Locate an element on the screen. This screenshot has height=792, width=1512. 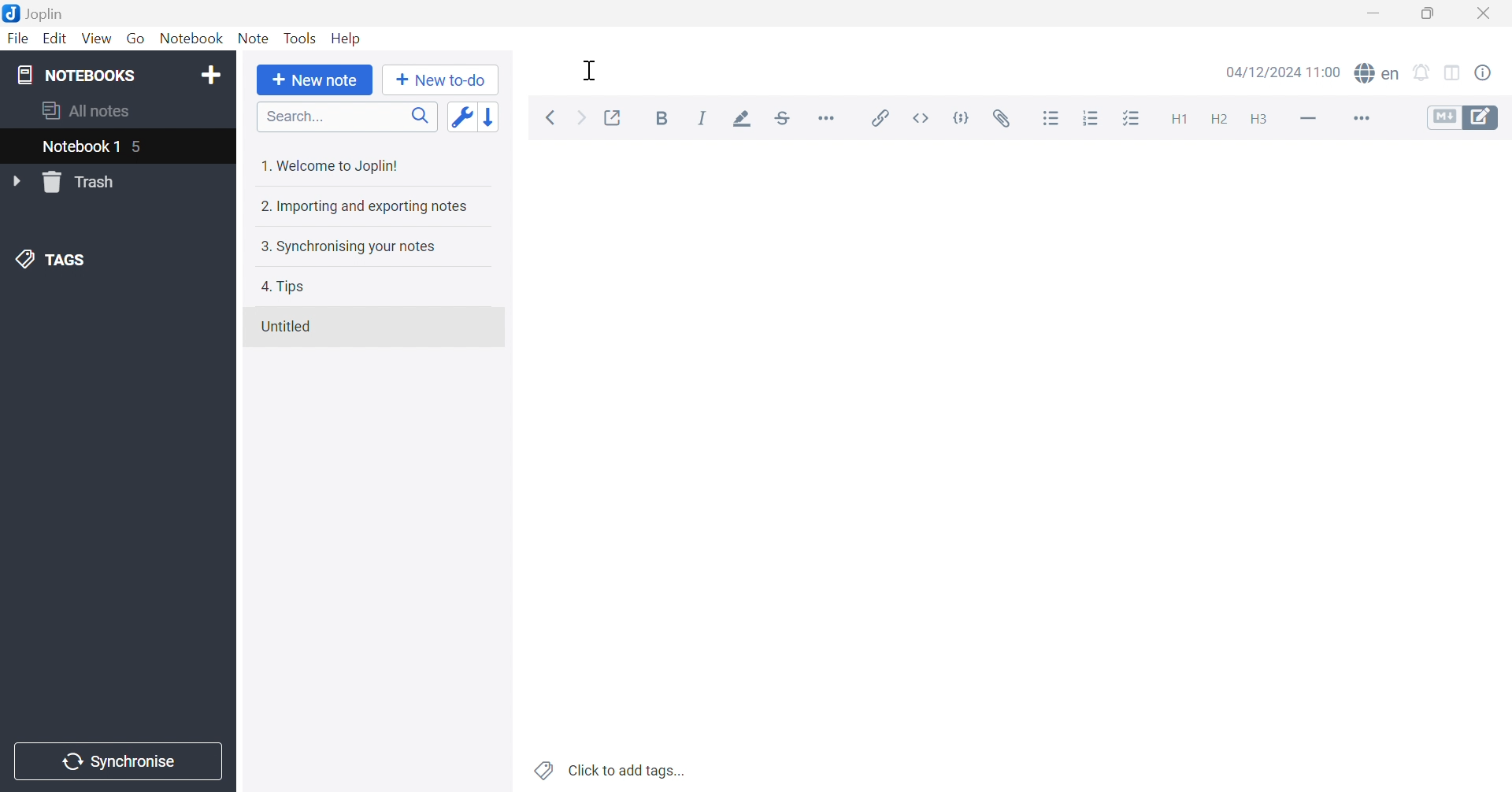
Highlight is located at coordinates (744, 120).